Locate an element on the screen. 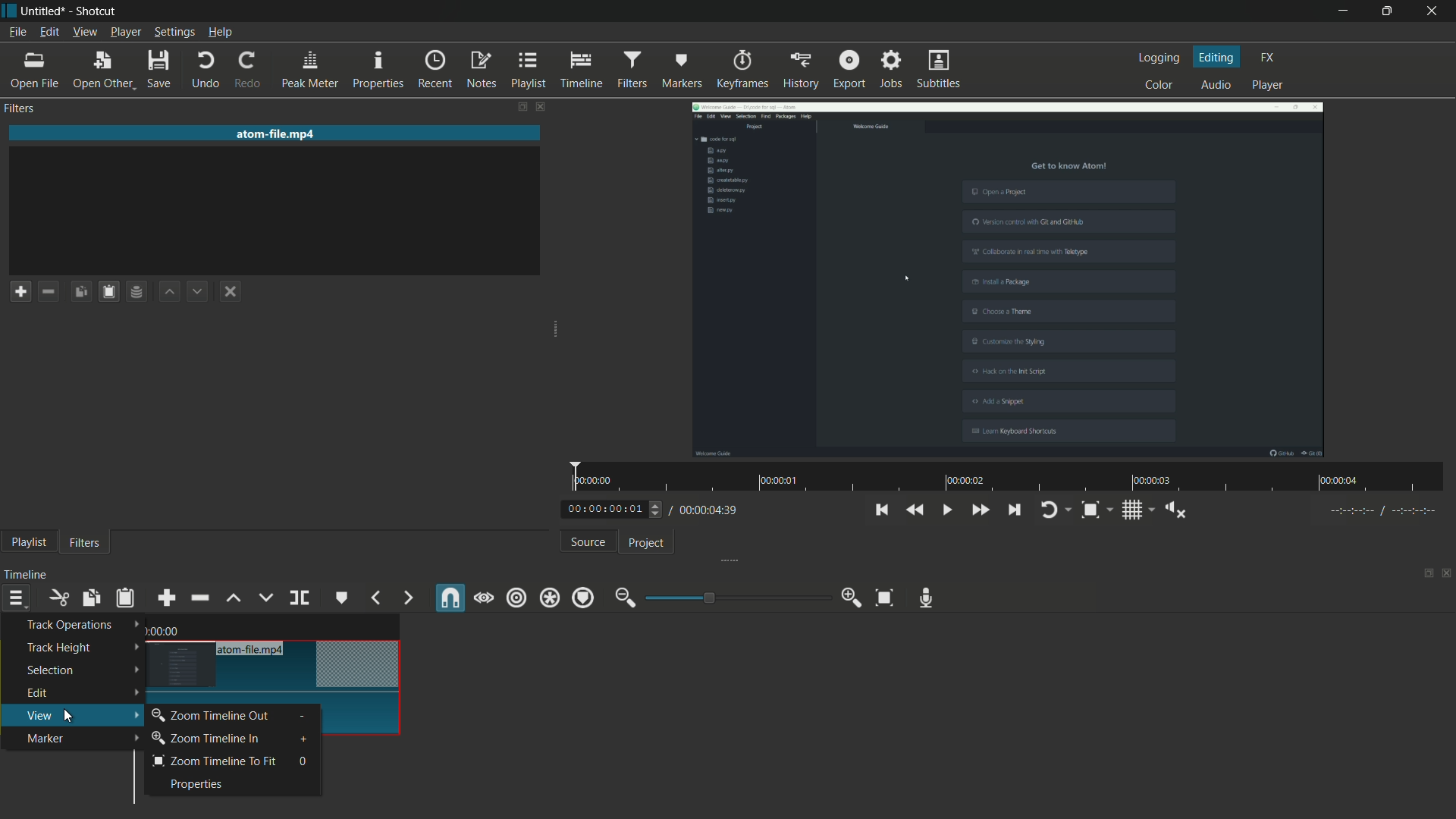  zoom timeline to fit is located at coordinates (216, 762).